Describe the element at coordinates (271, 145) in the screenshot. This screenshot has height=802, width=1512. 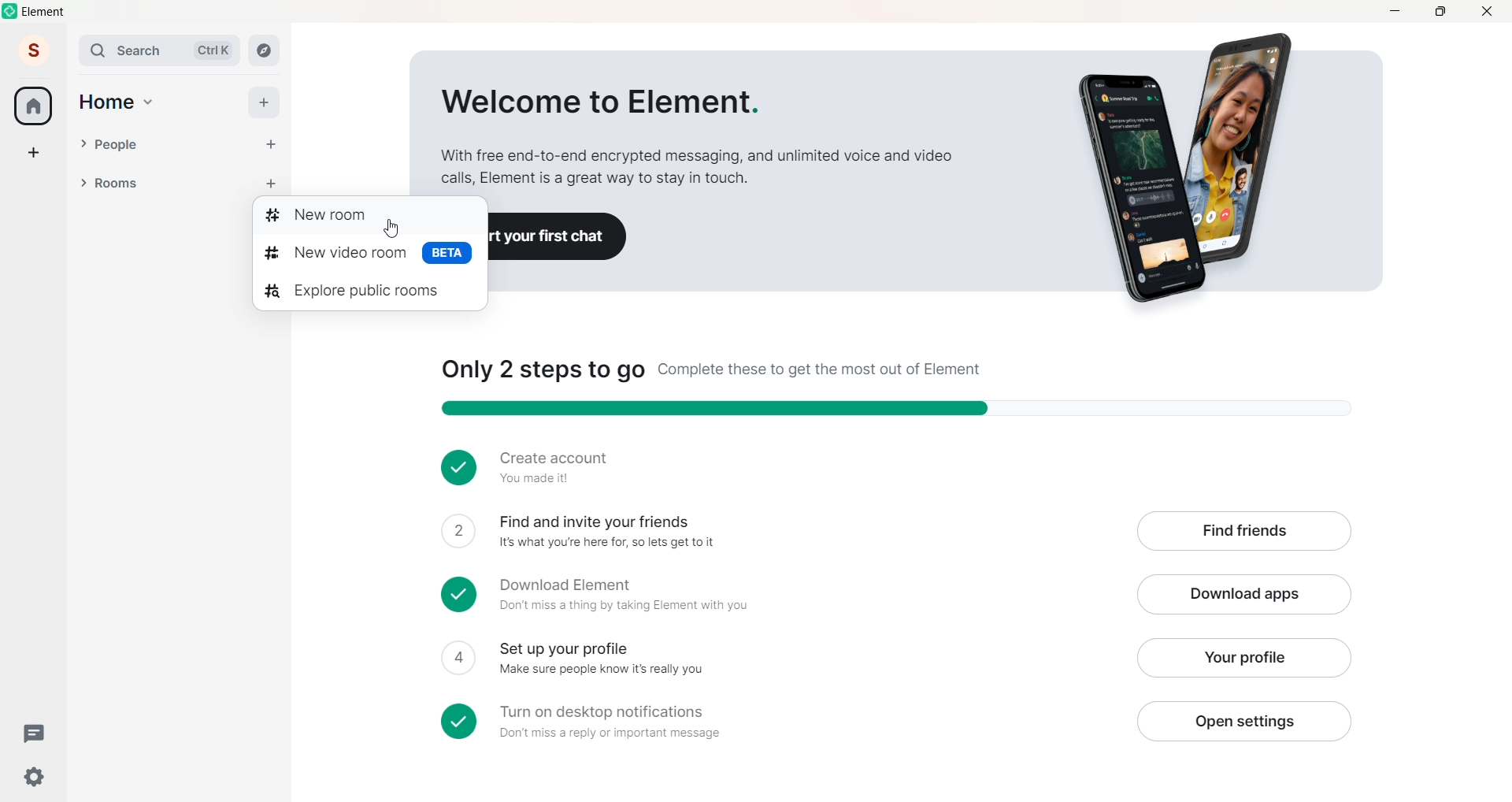
I see `Add People` at that location.